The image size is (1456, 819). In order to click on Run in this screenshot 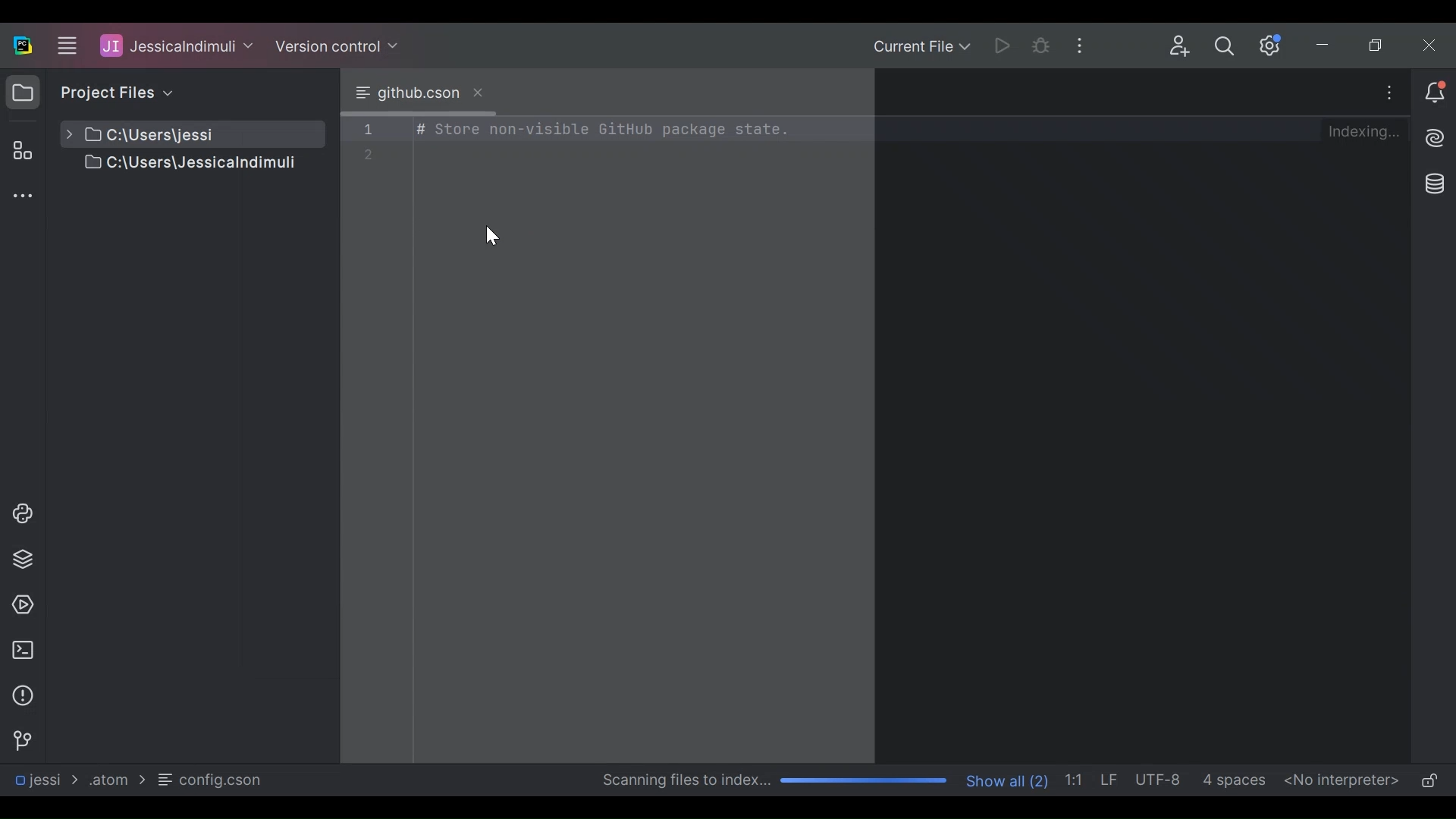, I will do `click(998, 45)`.